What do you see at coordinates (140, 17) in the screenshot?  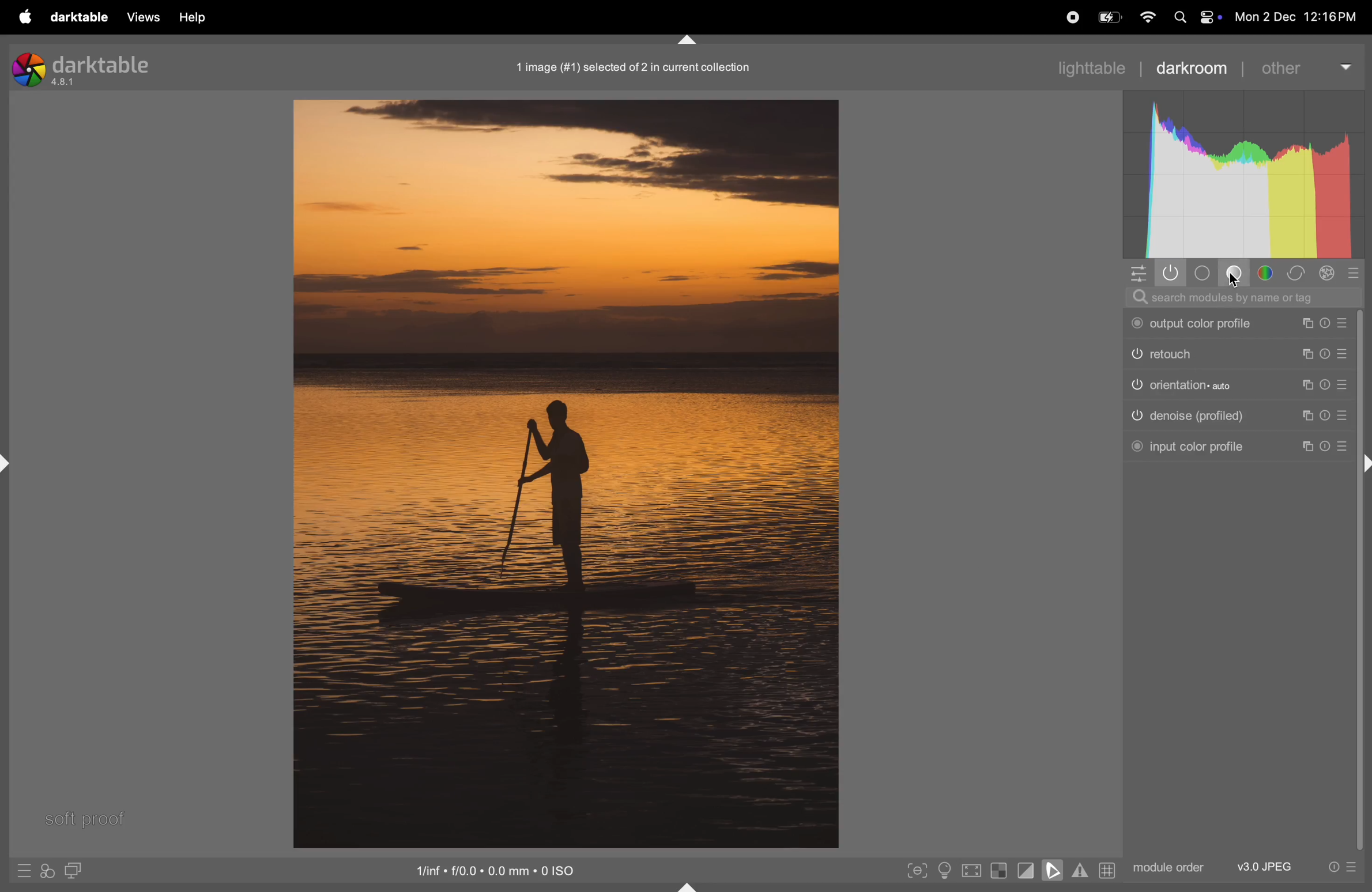 I see `views` at bounding box center [140, 17].